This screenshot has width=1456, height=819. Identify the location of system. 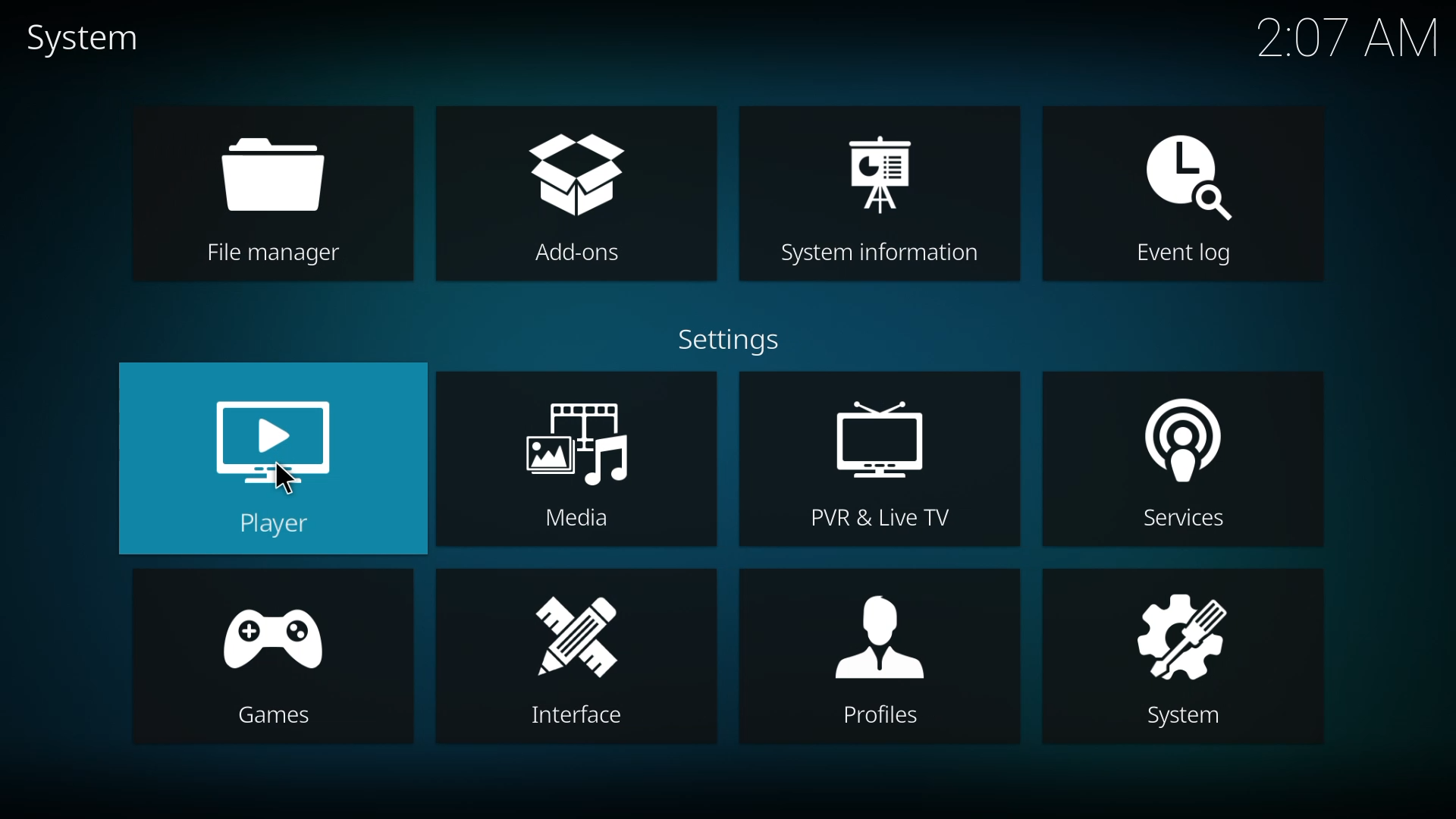
(83, 36).